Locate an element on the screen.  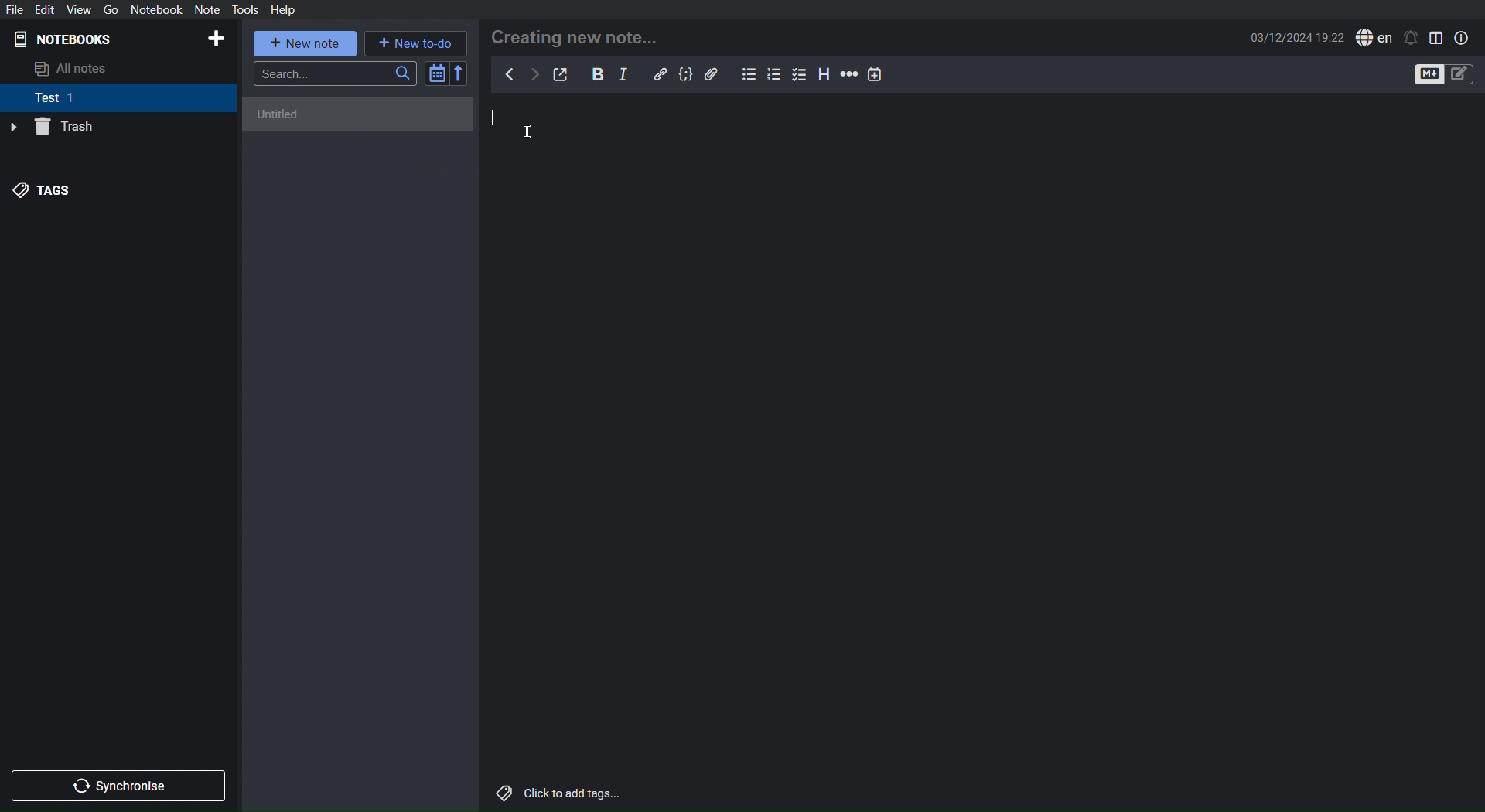
Date and Time is located at coordinates (1296, 38).